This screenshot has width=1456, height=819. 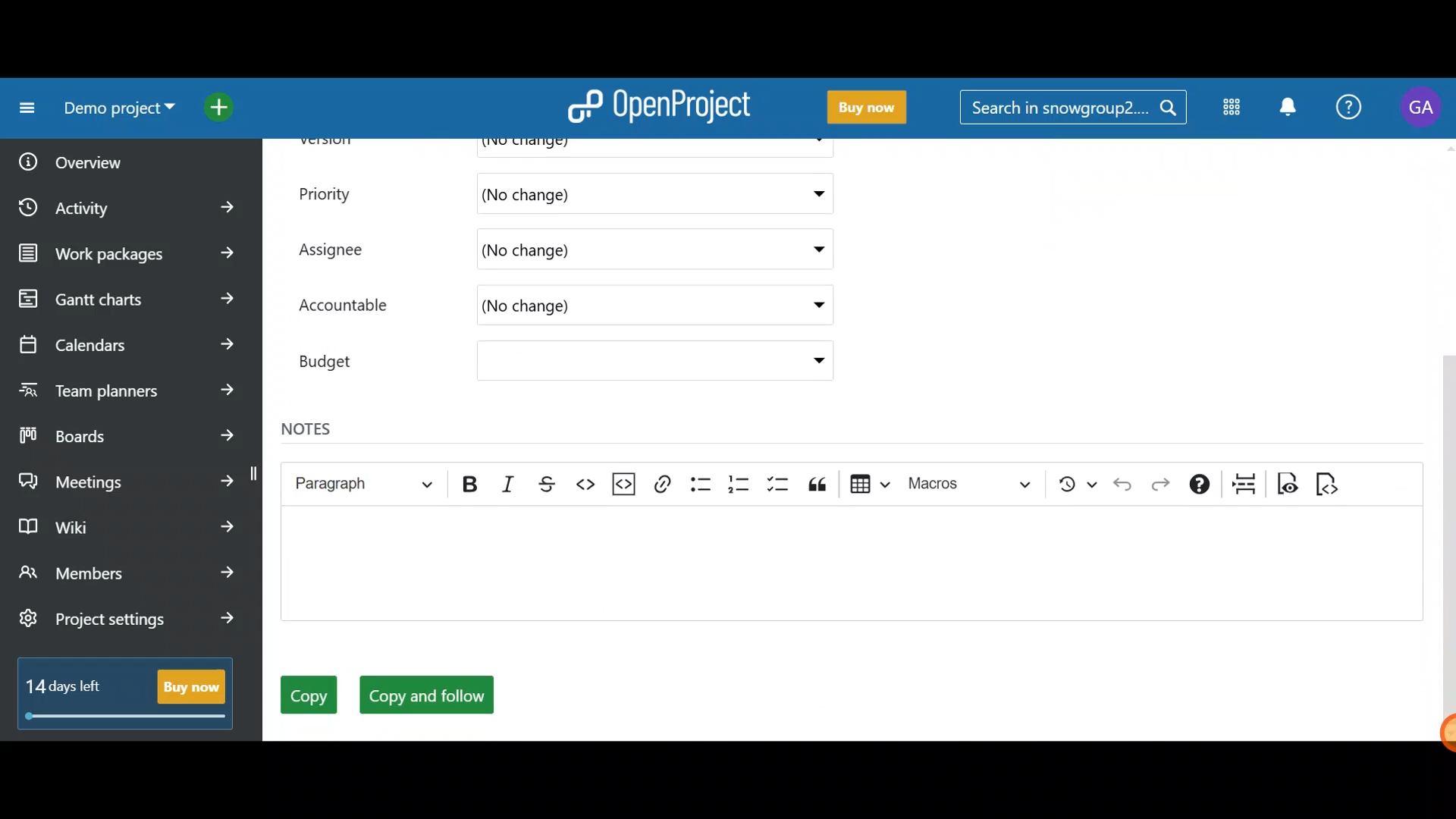 I want to click on Numbered list, so click(x=743, y=483).